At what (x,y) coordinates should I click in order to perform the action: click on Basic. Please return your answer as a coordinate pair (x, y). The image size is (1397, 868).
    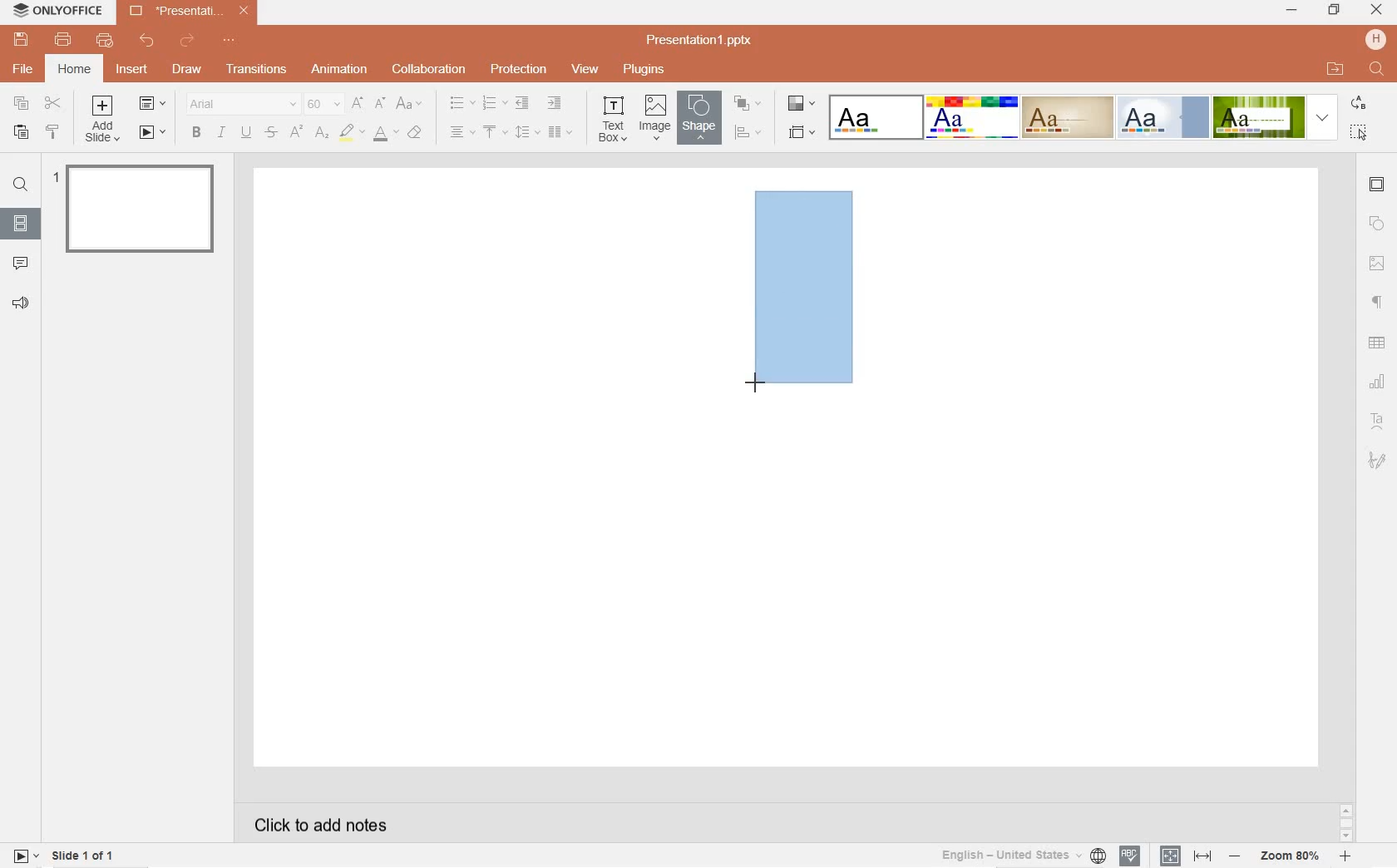
    Looking at the image, I should click on (972, 117).